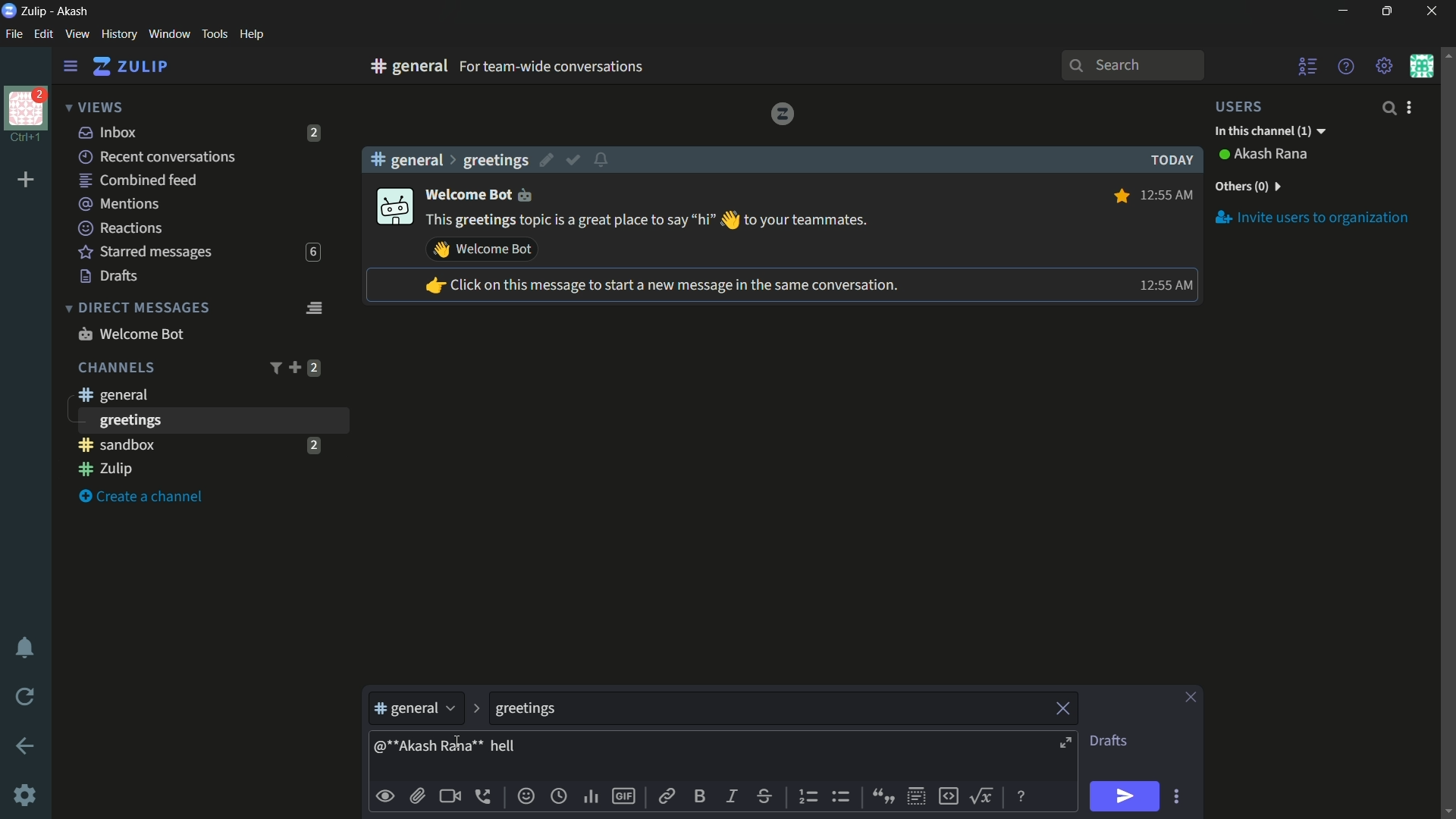  What do you see at coordinates (109, 276) in the screenshot?
I see `drafts` at bounding box center [109, 276].